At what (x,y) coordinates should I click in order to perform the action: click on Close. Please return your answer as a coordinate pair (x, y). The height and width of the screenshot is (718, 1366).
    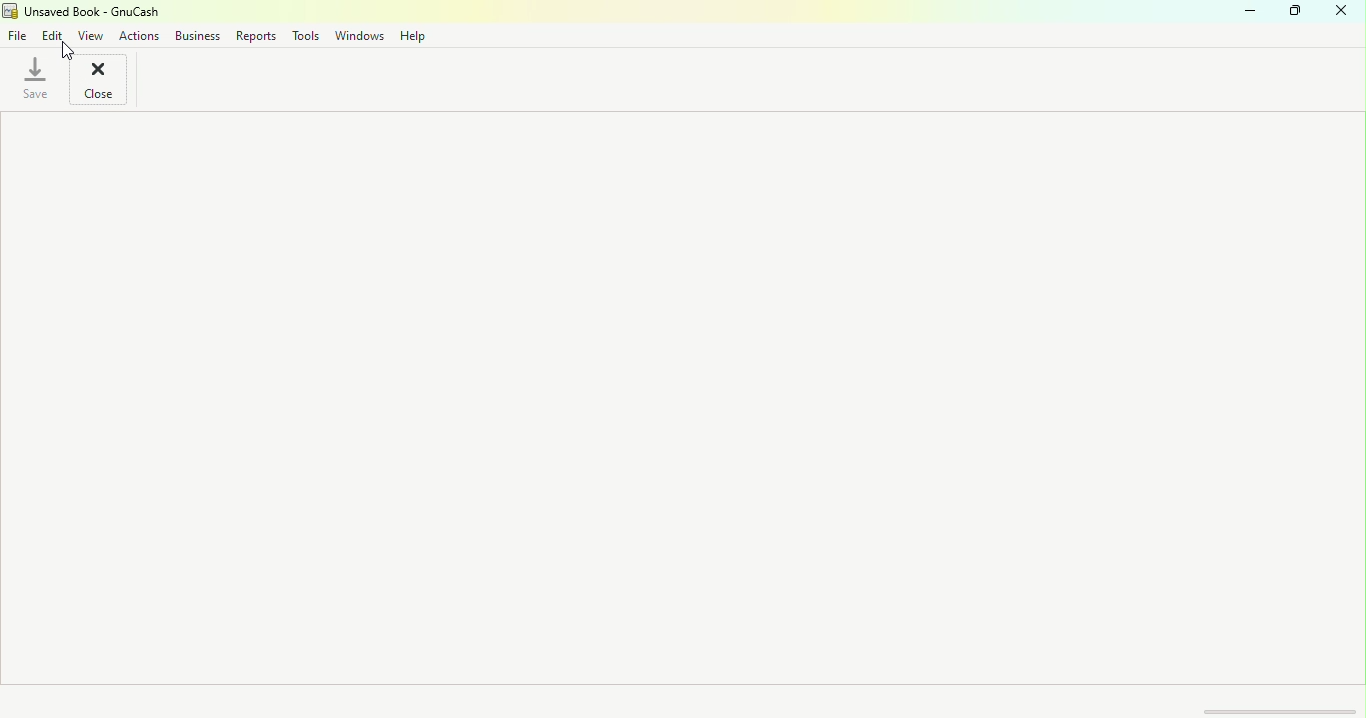
    Looking at the image, I should click on (1345, 14).